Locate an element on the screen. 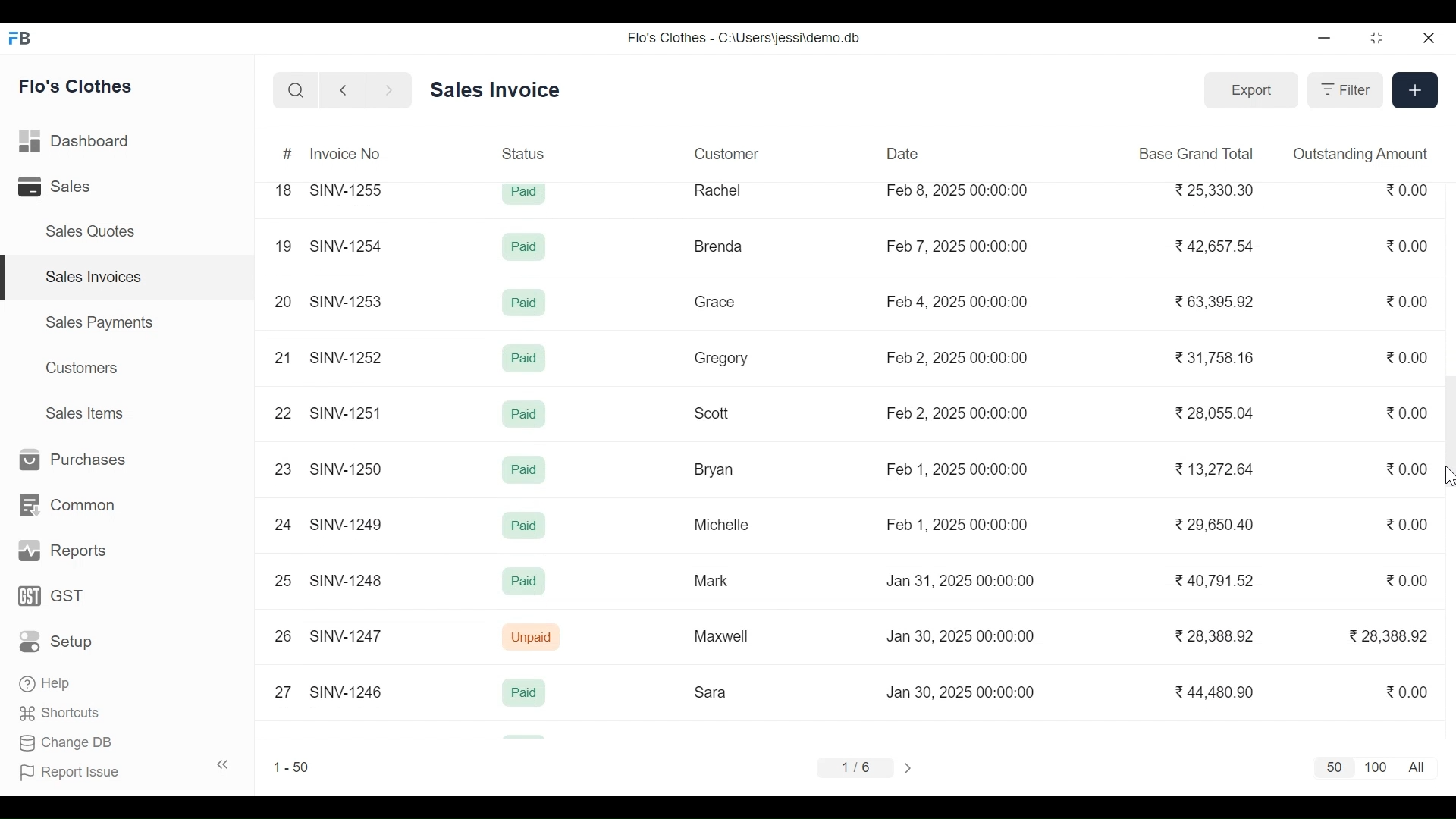  Paid is located at coordinates (524, 581).